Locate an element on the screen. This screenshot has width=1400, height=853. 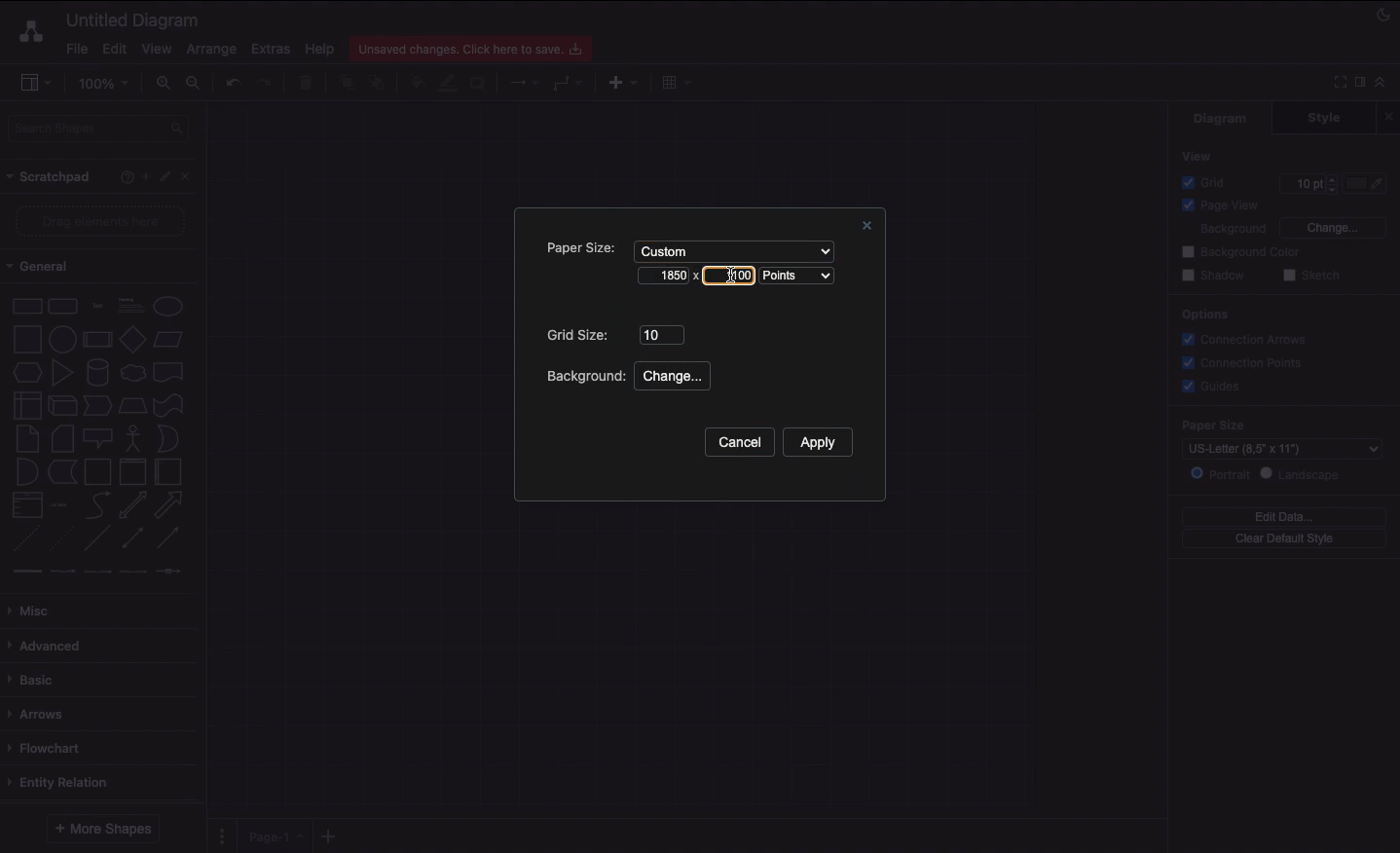
Text is located at coordinates (97, 307).